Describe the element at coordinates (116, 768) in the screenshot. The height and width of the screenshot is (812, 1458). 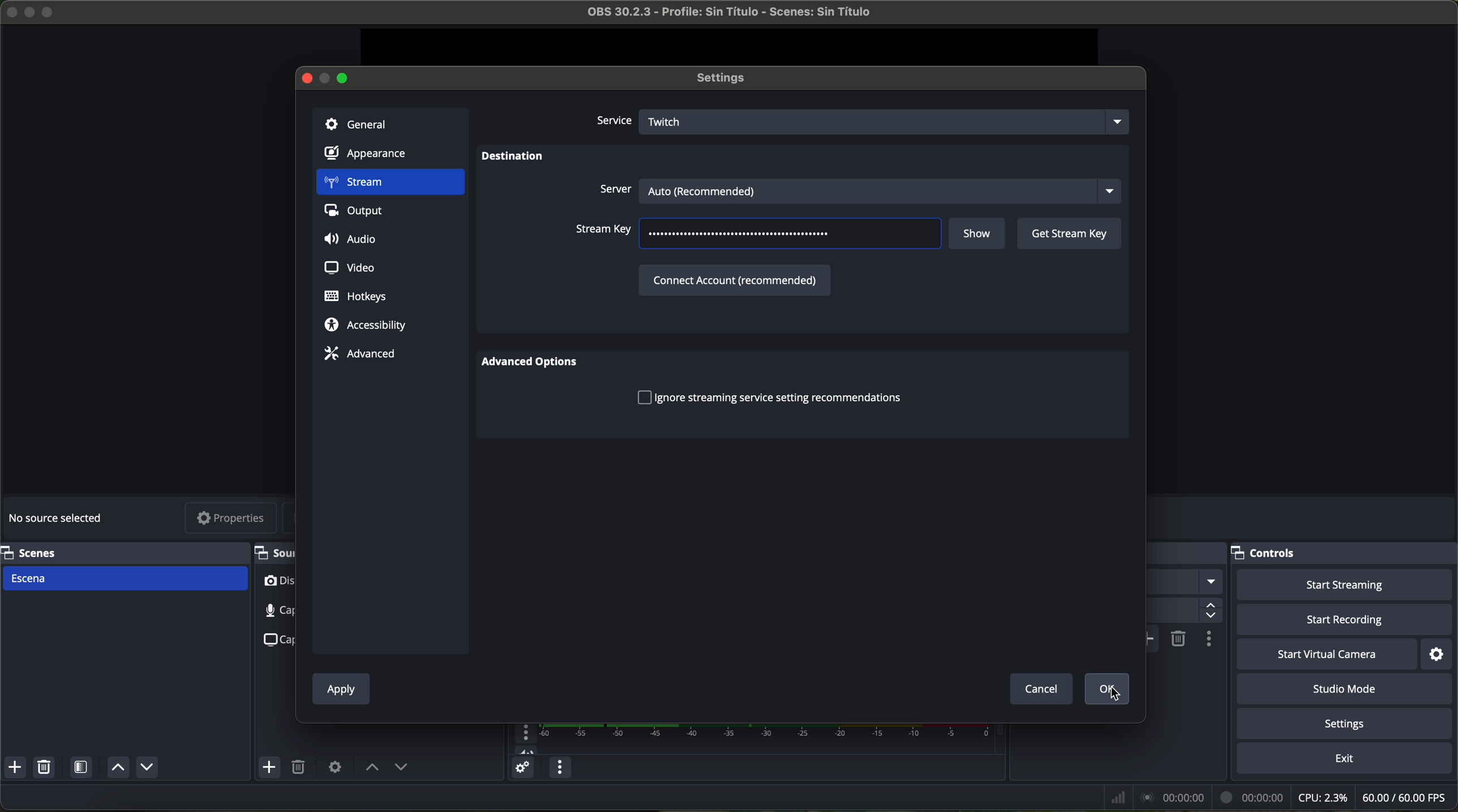
I see `move source up` at that location.